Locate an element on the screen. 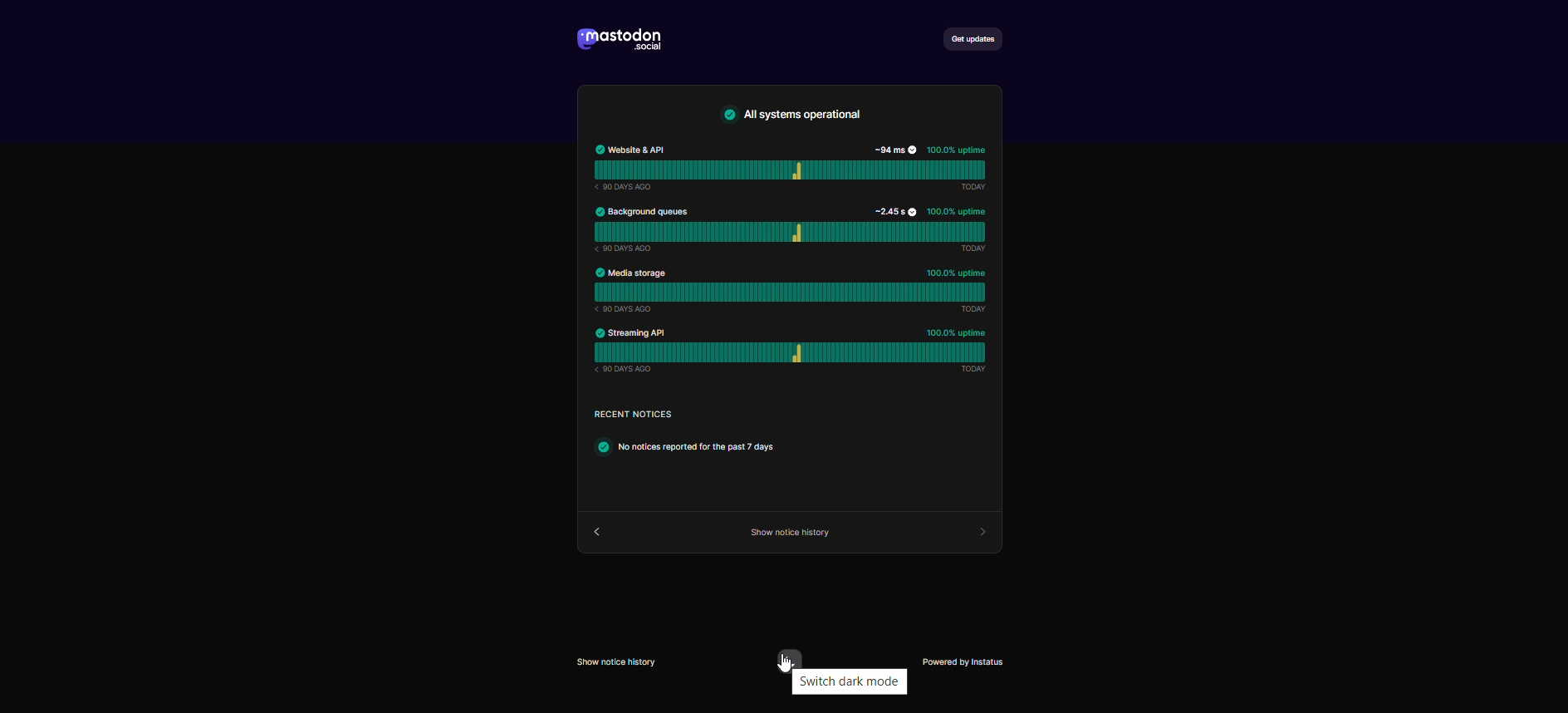  cursor is located at coordinates (786, 665).